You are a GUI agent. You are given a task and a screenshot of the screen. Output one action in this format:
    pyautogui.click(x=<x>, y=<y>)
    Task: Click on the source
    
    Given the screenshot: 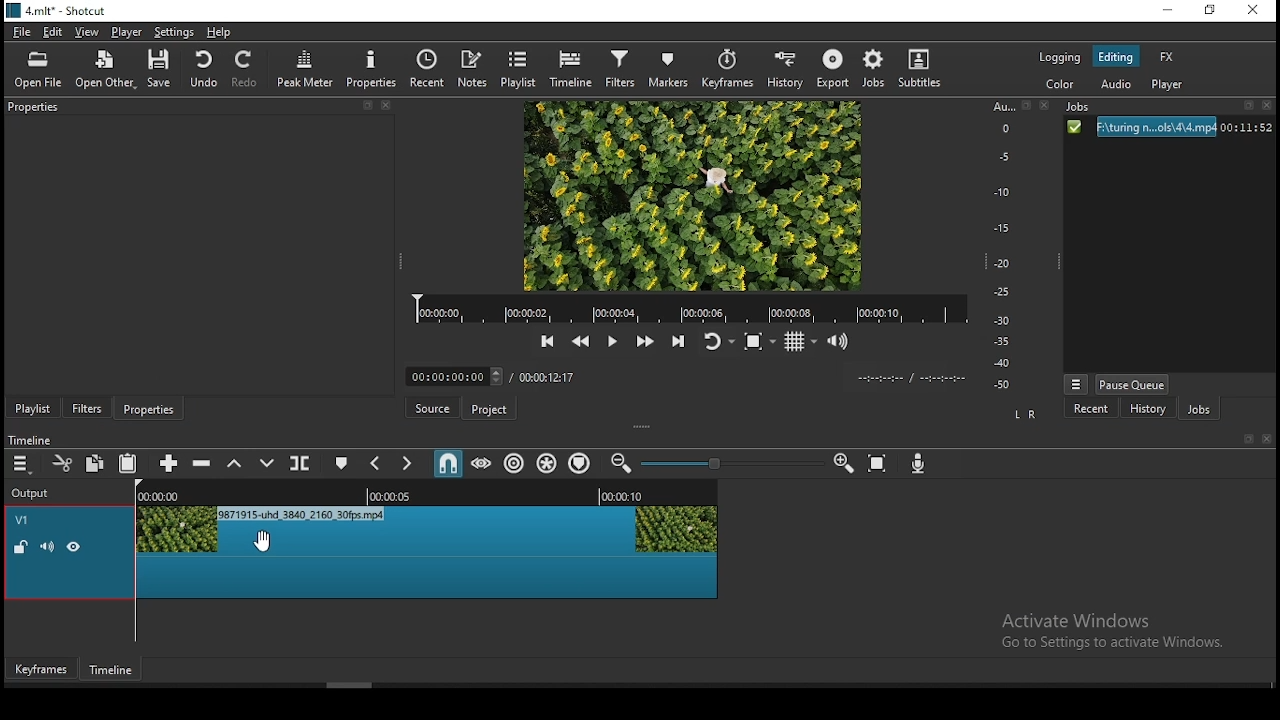 What is the action you would take?
    pyautogui.click(x=434, y=407)
    